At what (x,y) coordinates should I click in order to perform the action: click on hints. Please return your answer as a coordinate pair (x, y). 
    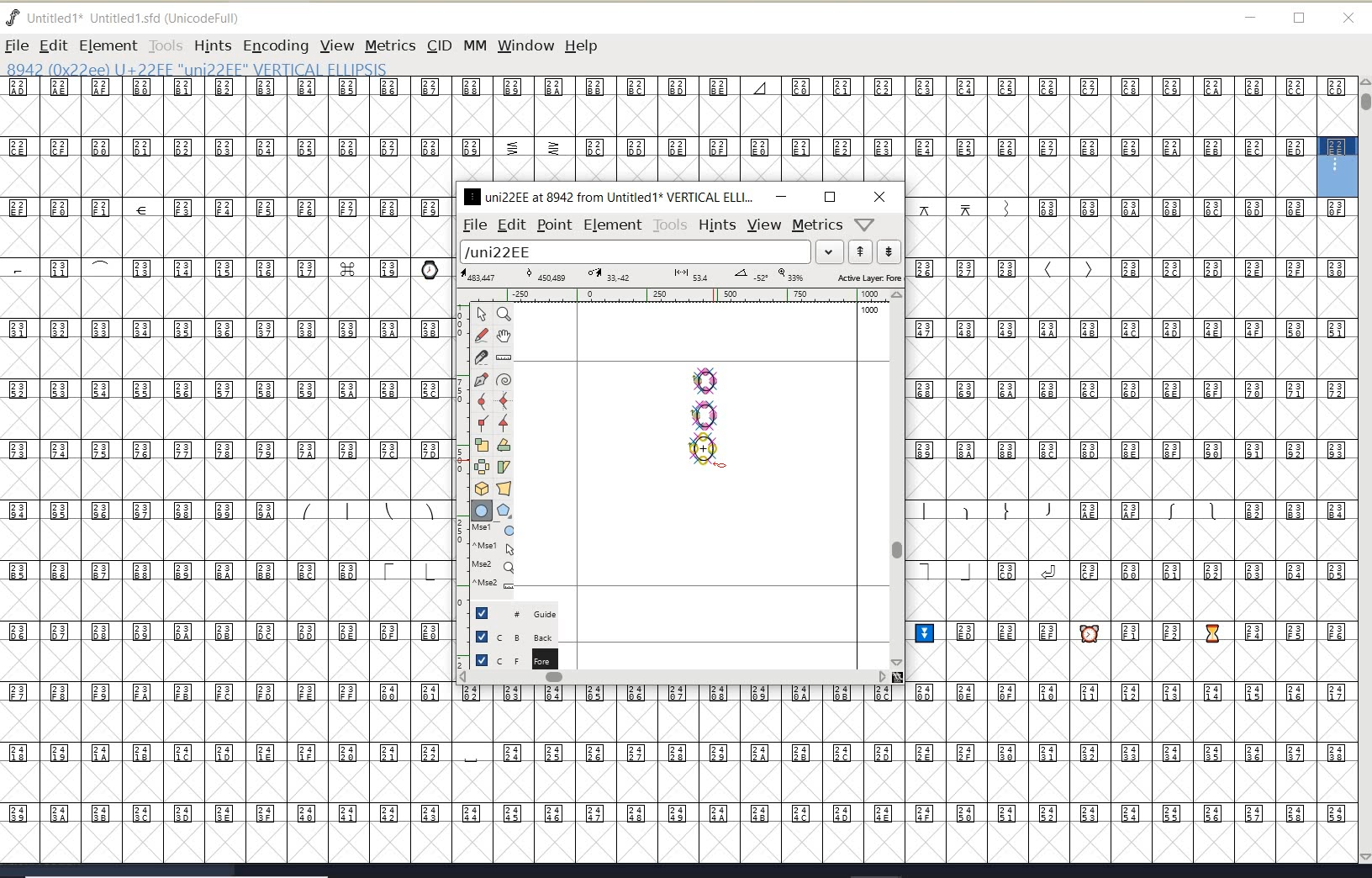
    Looking at the image, I should click on (716, 225).